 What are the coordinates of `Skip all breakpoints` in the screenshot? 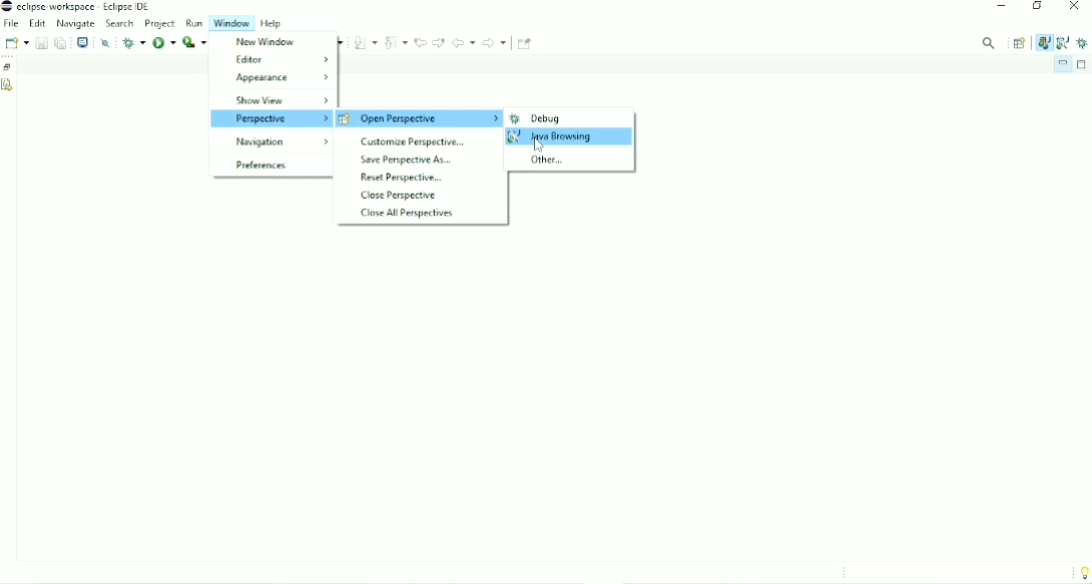 It's located at (105, 43).